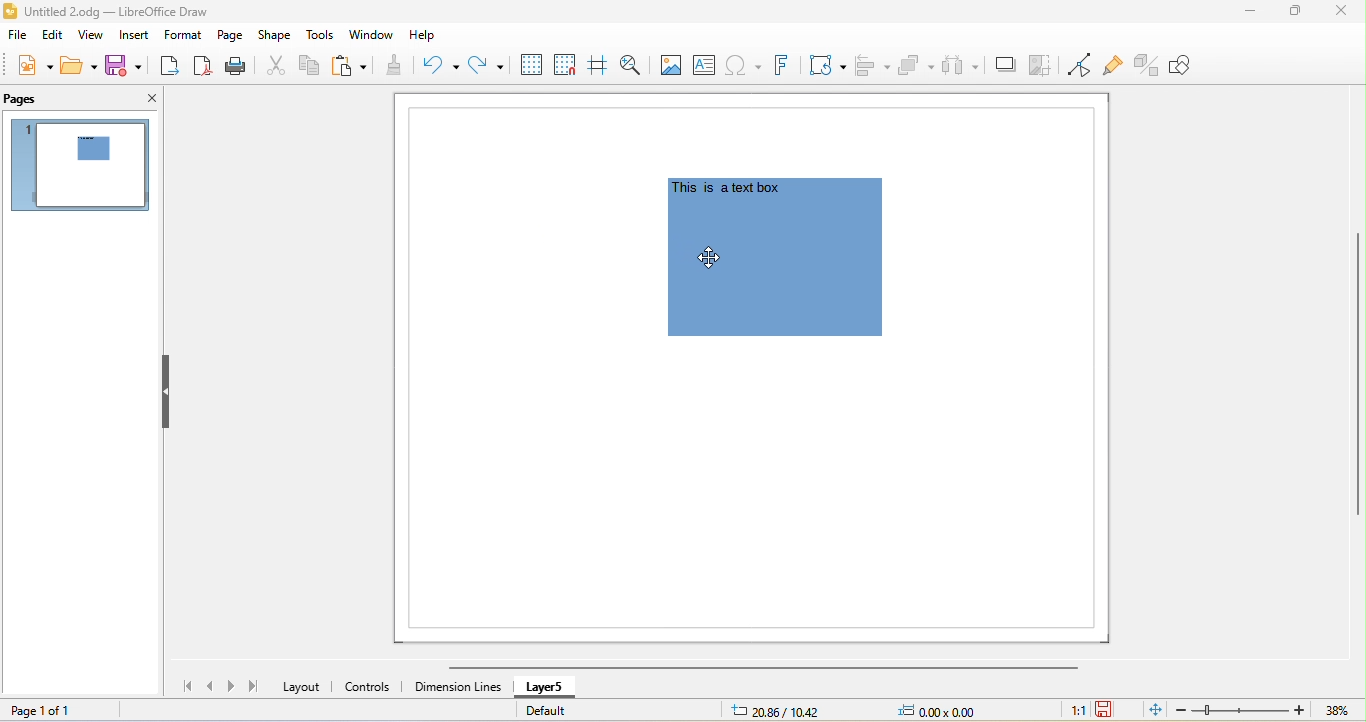 This screenshot has height=722, width=1366. I want to click on text box, so click(709, 64).